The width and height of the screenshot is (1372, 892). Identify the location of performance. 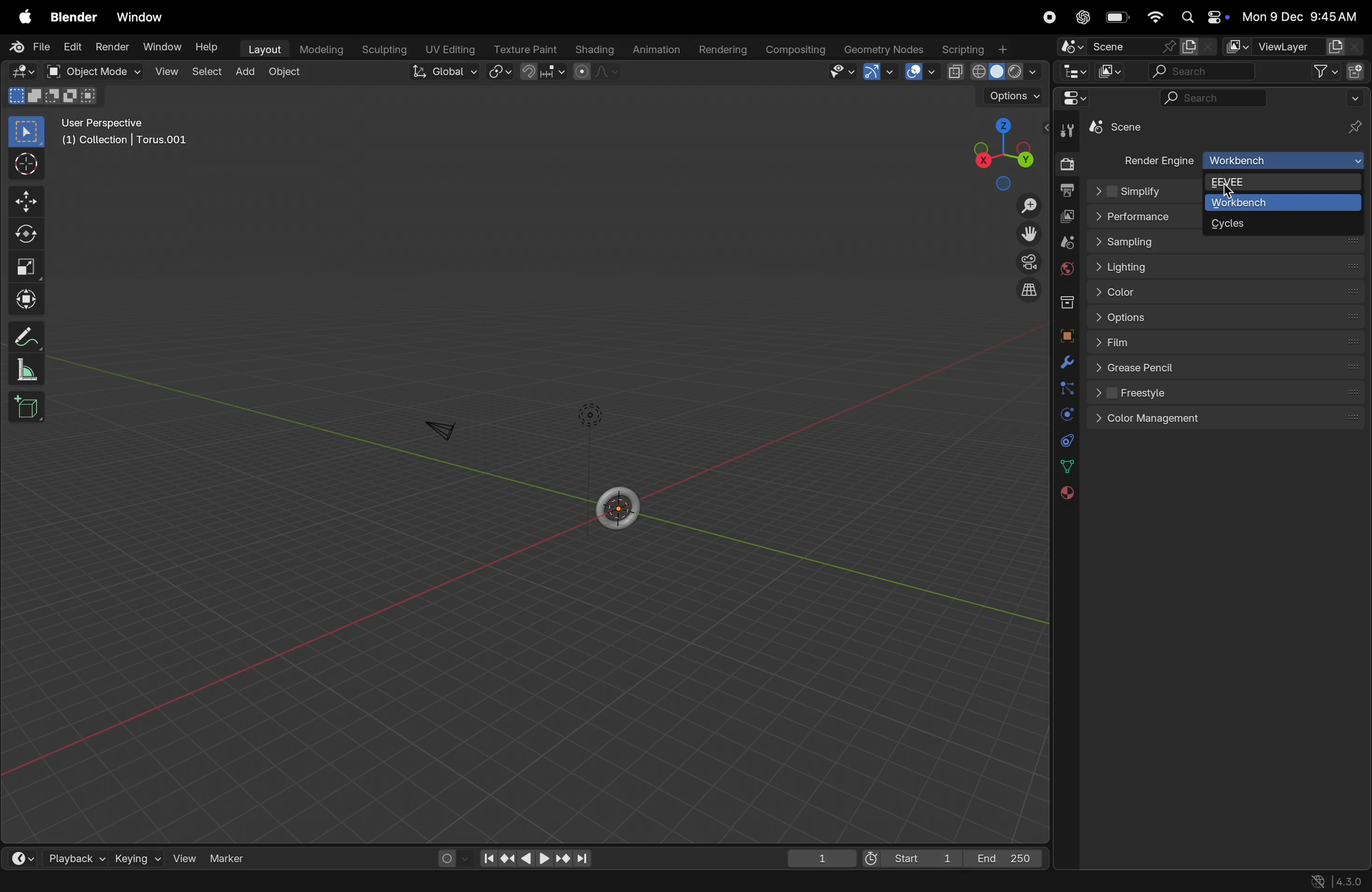
(1138, 217).